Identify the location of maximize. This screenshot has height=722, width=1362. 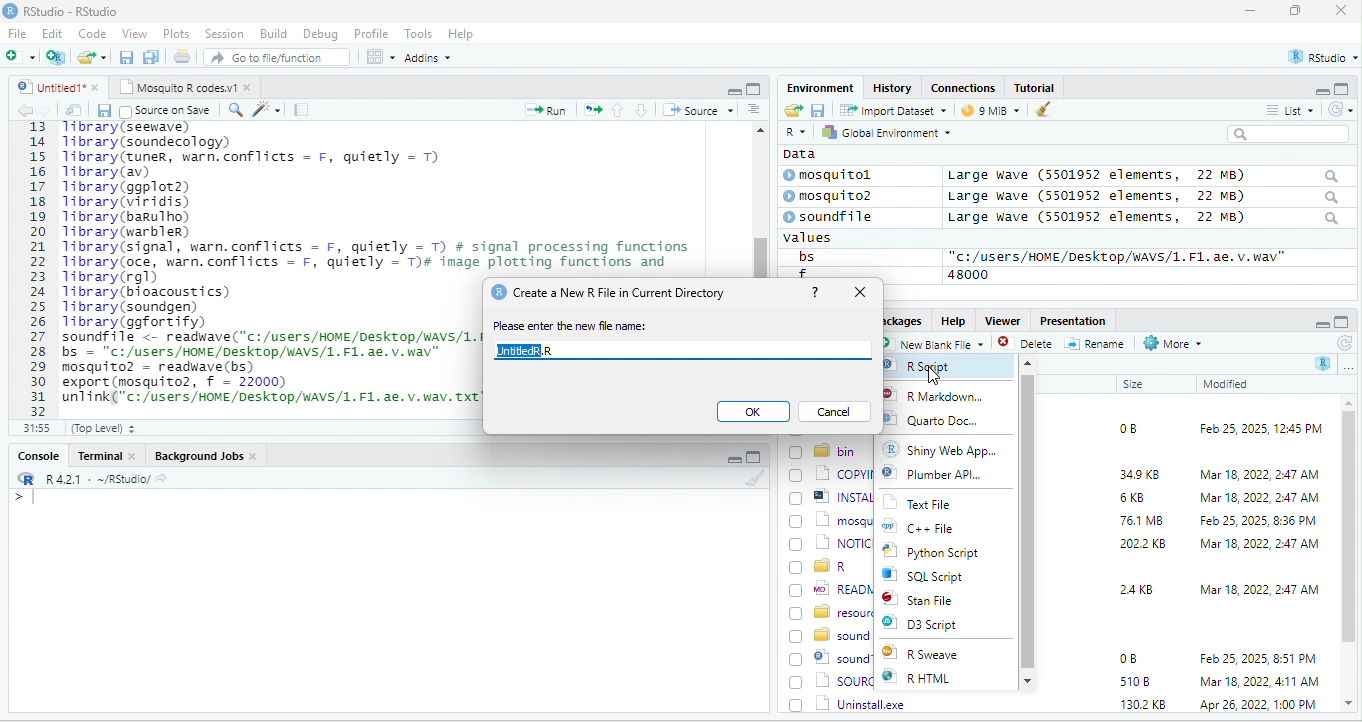
(753, 457).